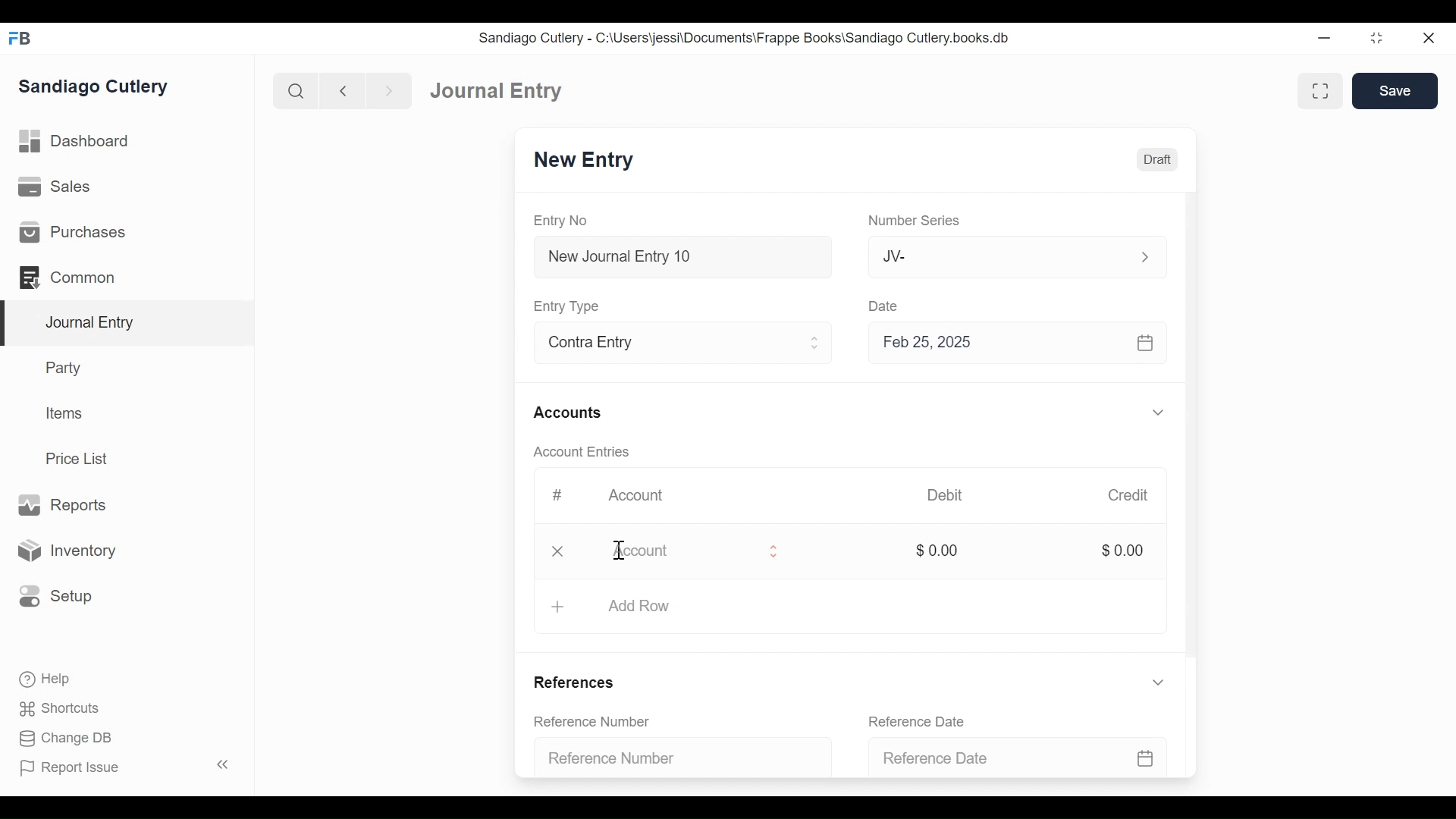  What do you see at coordinates (1194, 434) in the screenshot?
I see `Vertical Scroll bar` at bounding box center [1194, 434].